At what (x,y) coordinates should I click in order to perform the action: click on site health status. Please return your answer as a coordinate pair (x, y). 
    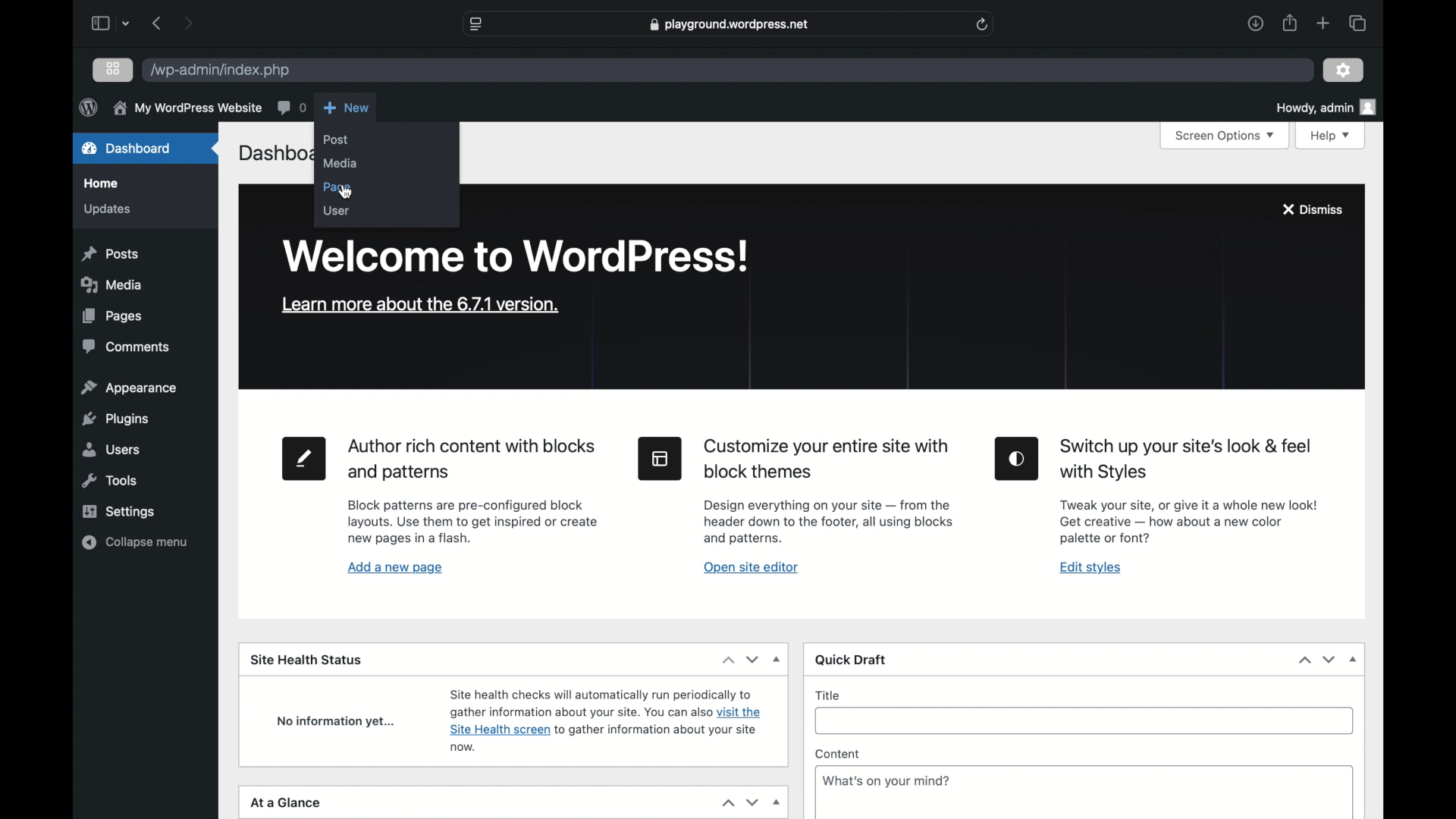
    Looking at the image, I should click on (305, 660).